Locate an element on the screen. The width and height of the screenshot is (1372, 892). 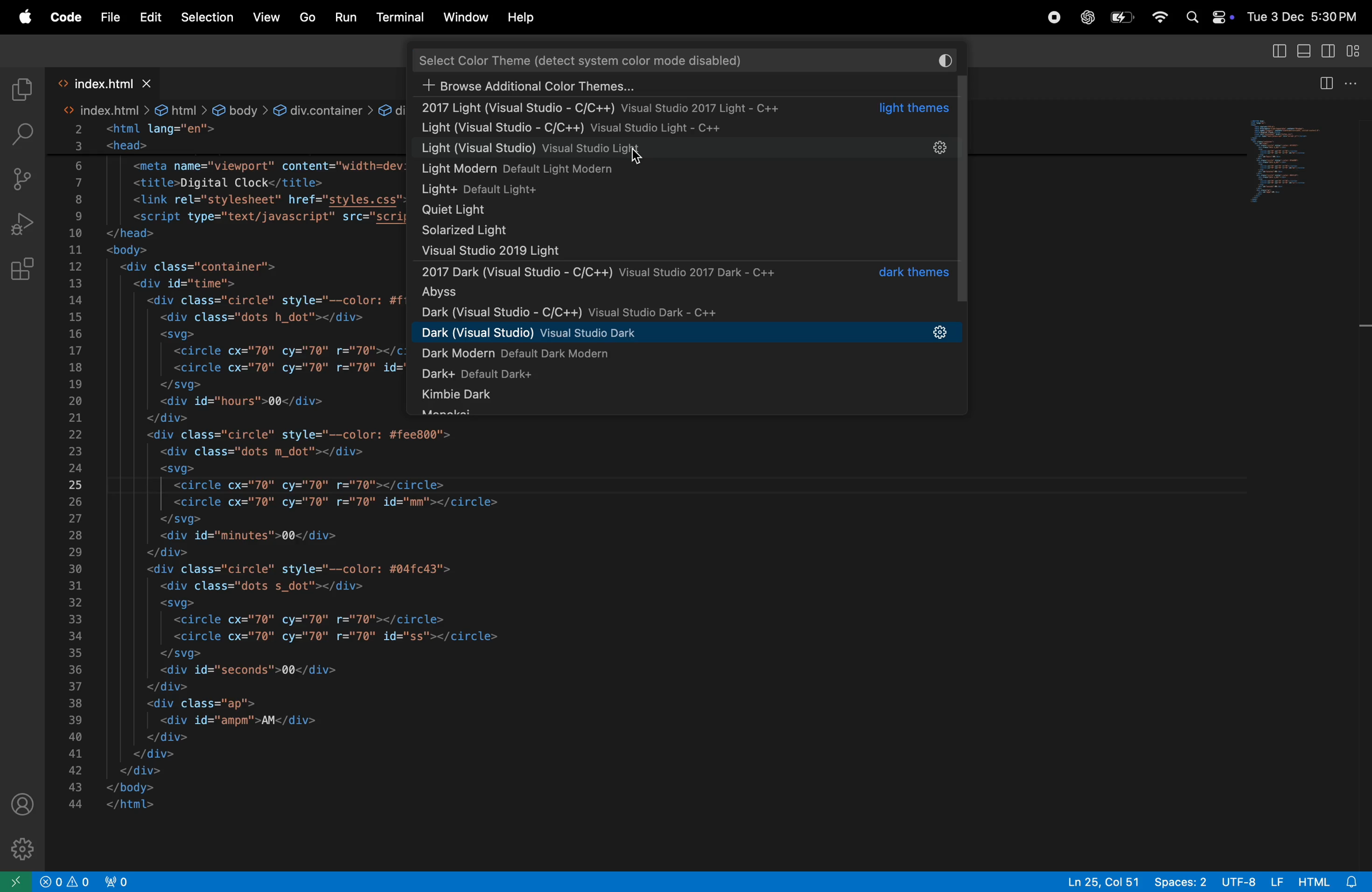
HTML Alert is located at coordinates (1333, 880).